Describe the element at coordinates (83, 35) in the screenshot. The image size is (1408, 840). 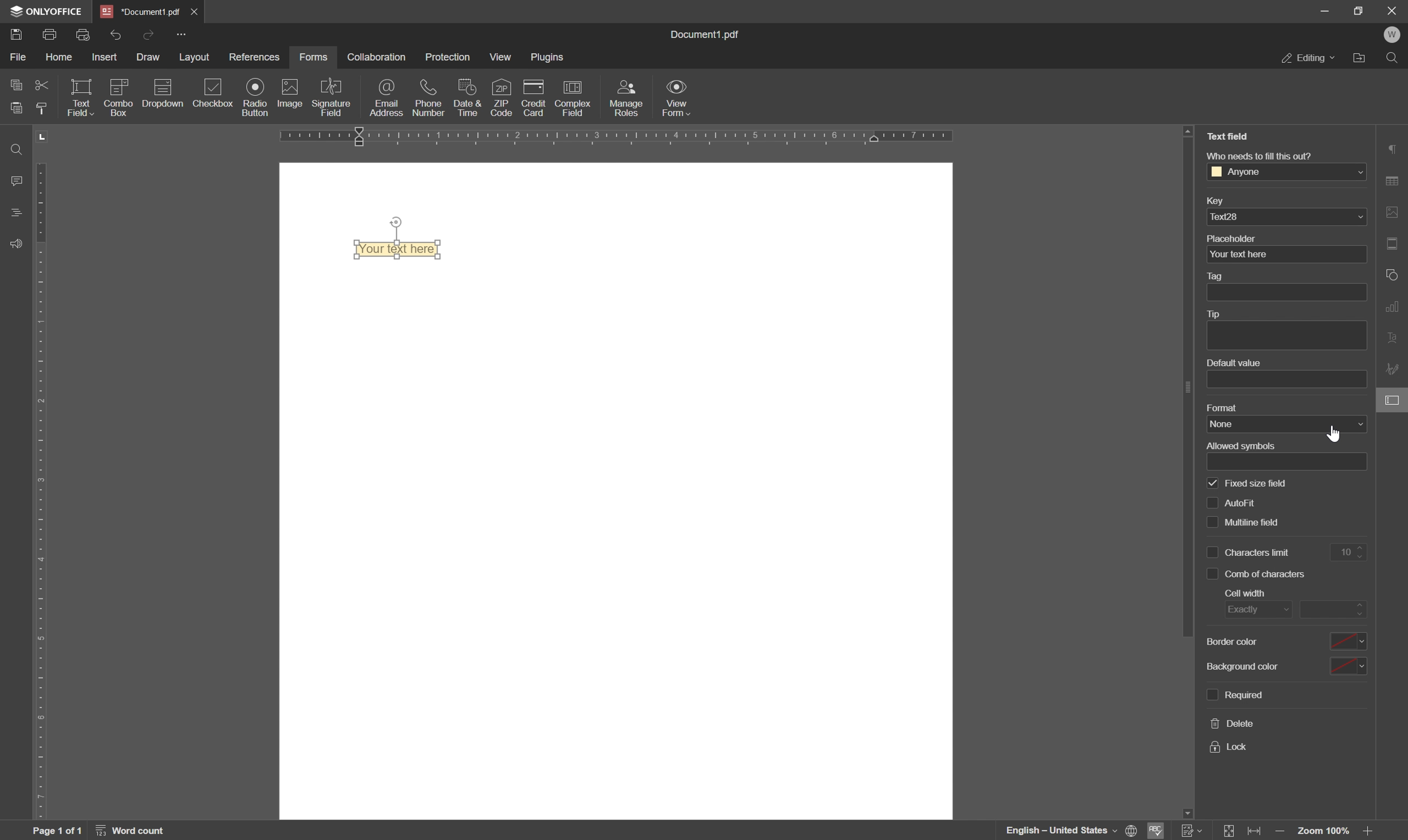
I see `quick print` at that location.